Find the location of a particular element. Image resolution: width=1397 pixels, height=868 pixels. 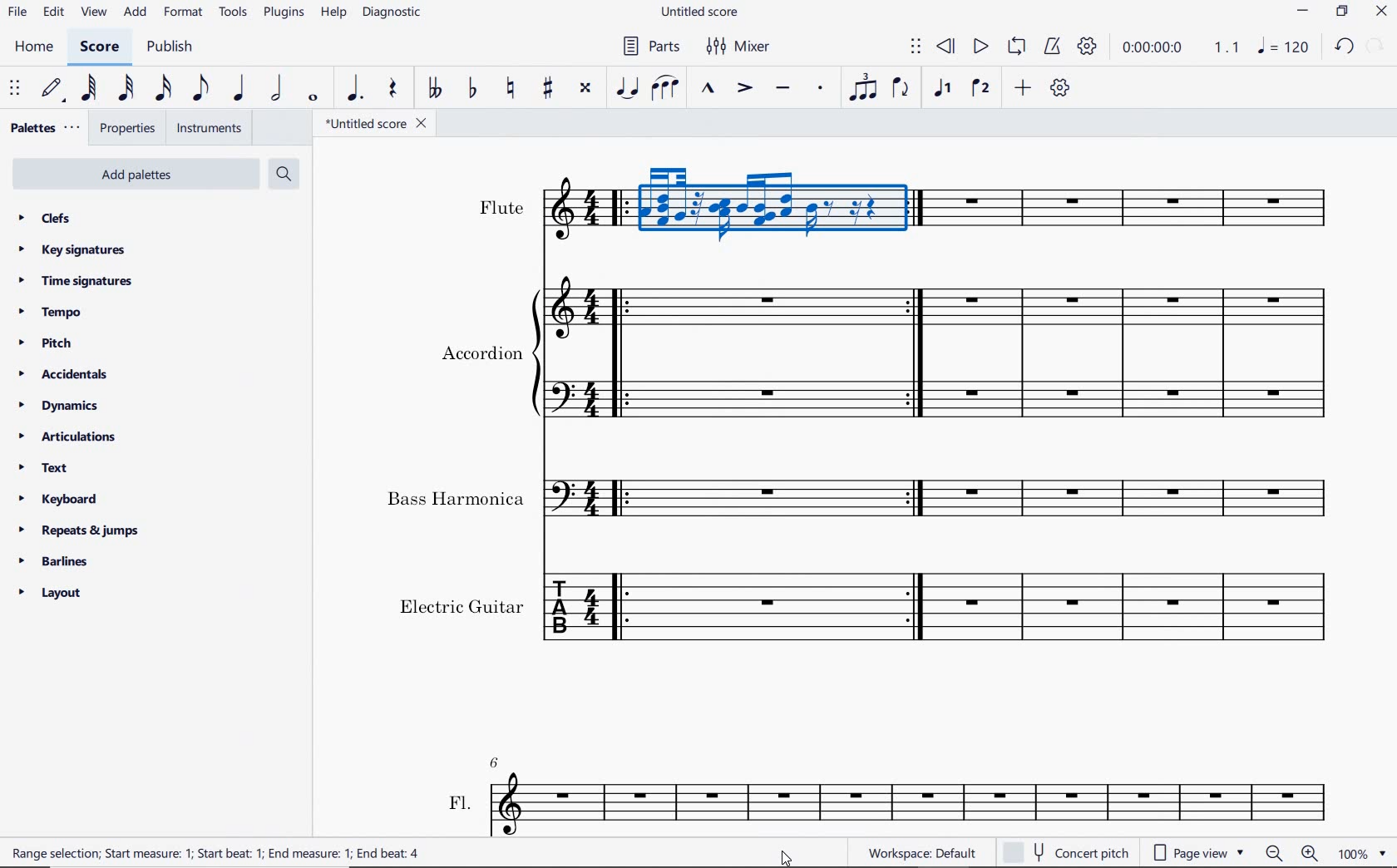

tempo is located at coordinates (53, 313).